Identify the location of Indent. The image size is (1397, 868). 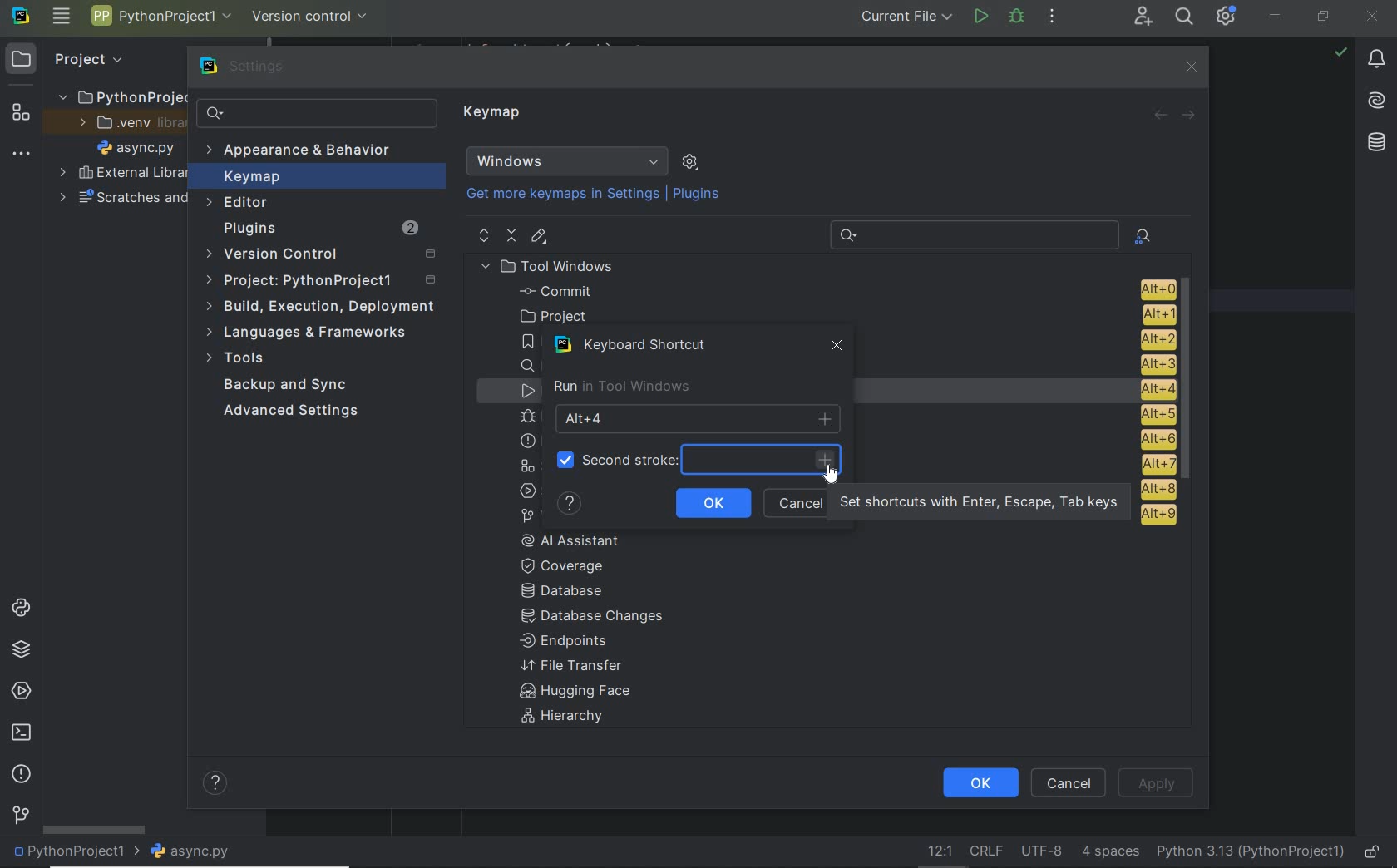
(1110, 853).